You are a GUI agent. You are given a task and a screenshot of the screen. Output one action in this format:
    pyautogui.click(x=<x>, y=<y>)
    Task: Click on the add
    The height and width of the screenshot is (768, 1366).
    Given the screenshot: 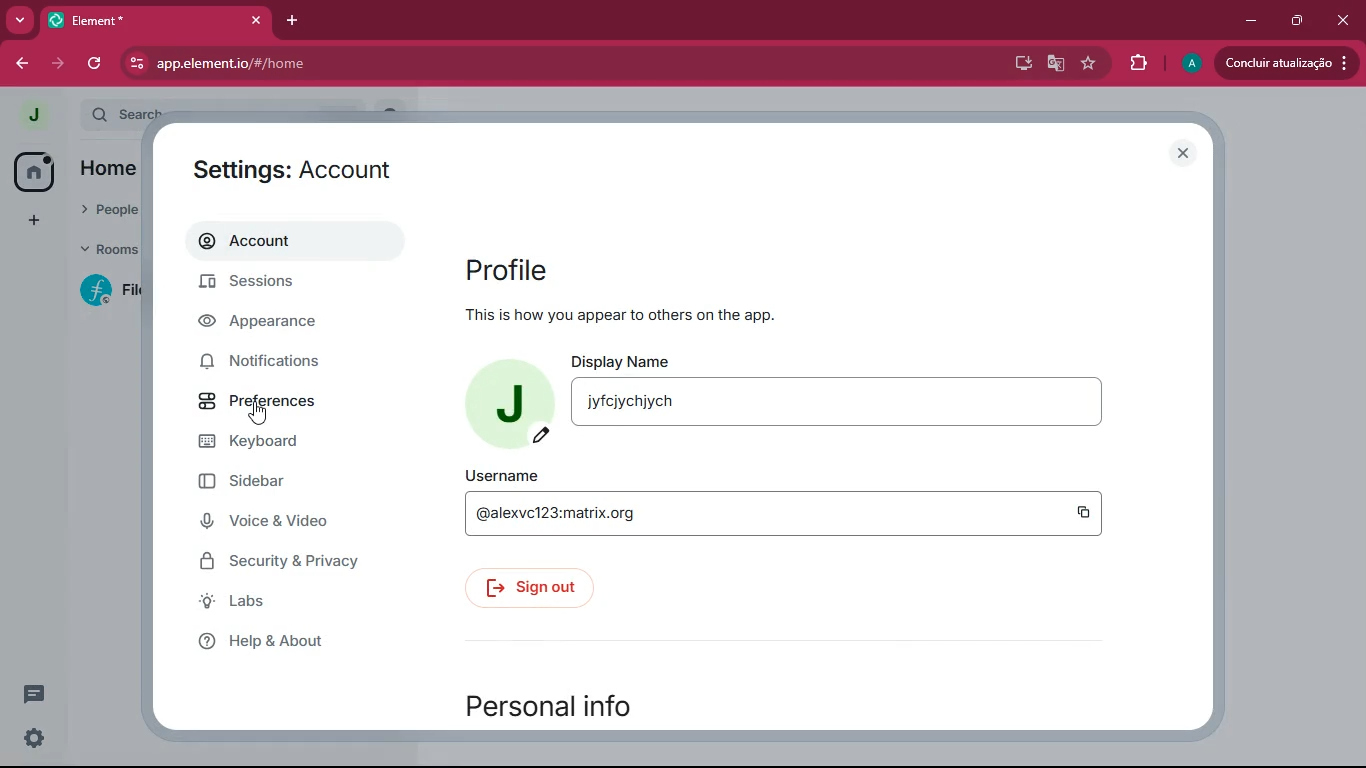 What is the action you would take?
    pyautogui.click(x=31, y=222)
    